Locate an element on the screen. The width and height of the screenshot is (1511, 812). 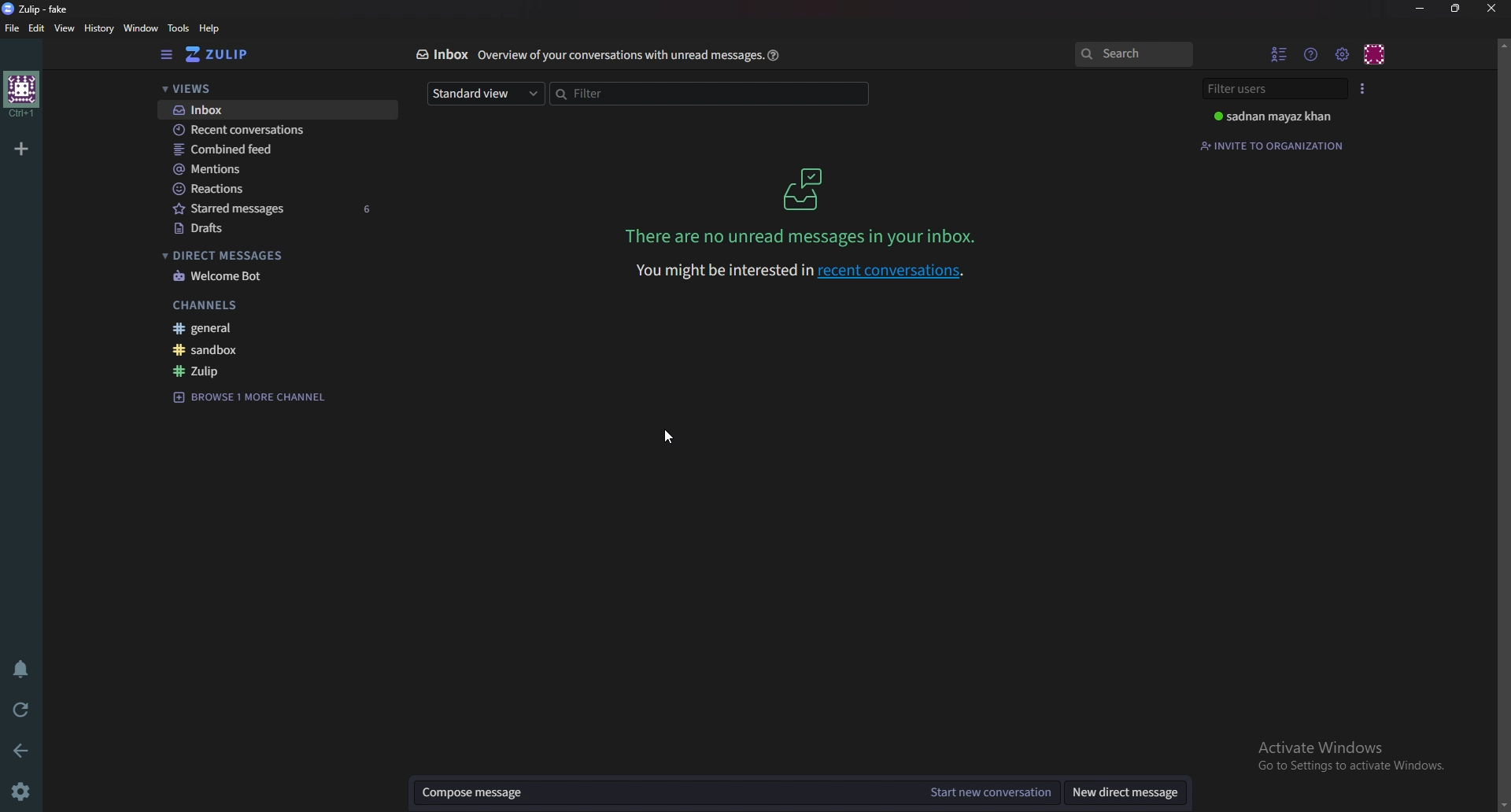
resize is located at coordinates (1455, 8).